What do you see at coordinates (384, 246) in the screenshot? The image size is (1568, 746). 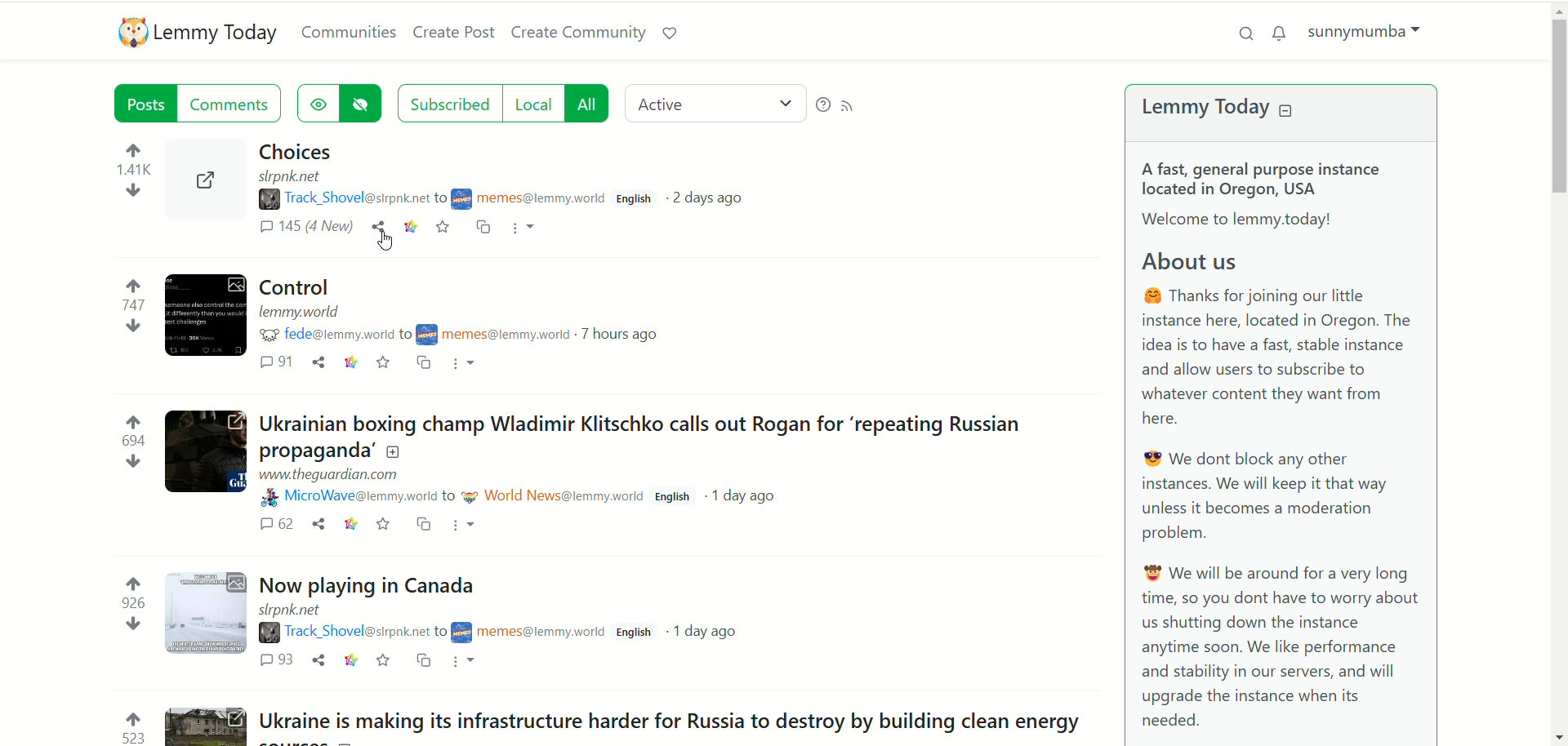 I see `Pointer` at bounding box center [384, 246].